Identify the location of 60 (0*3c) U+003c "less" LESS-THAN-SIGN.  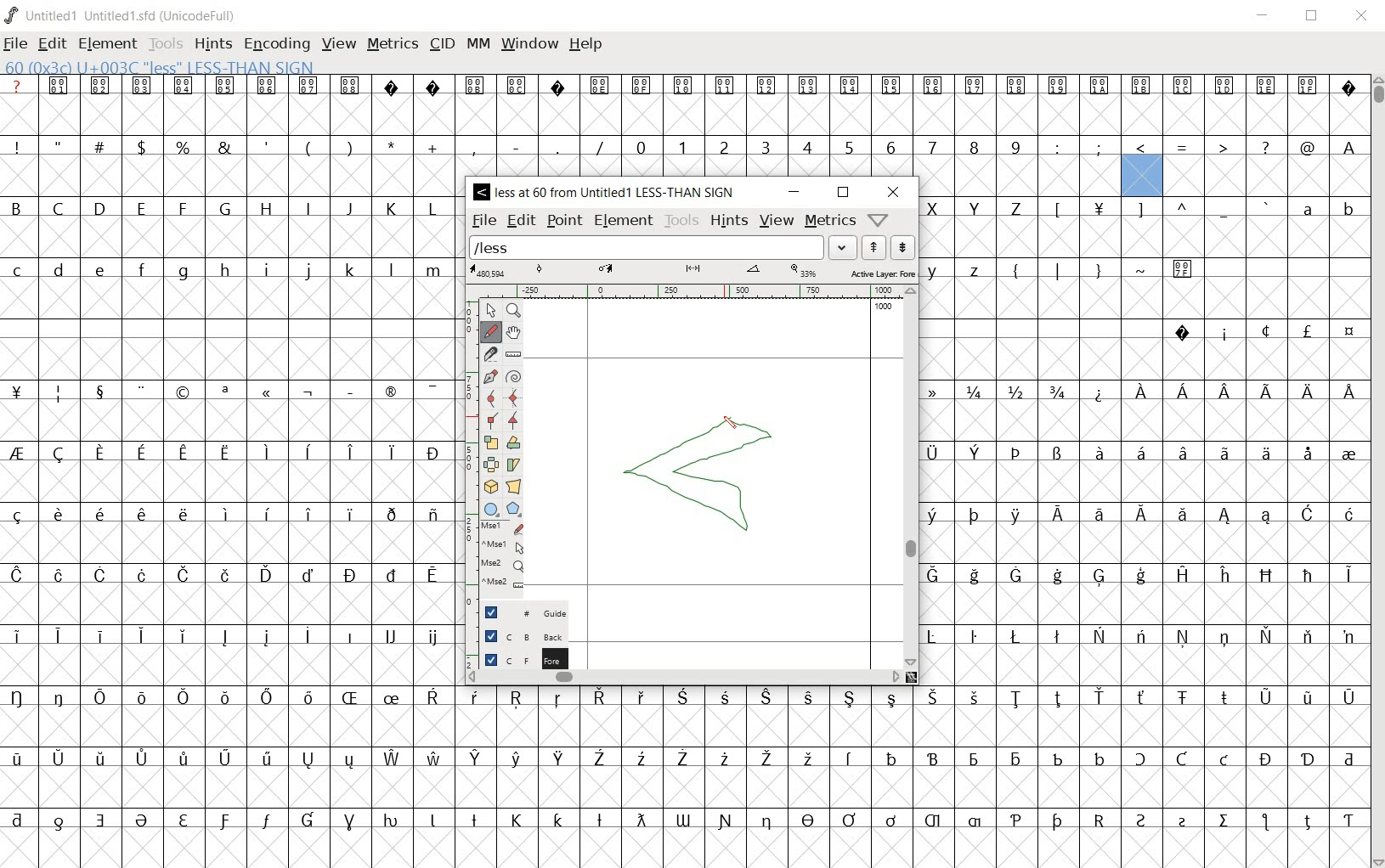
(160, 65).